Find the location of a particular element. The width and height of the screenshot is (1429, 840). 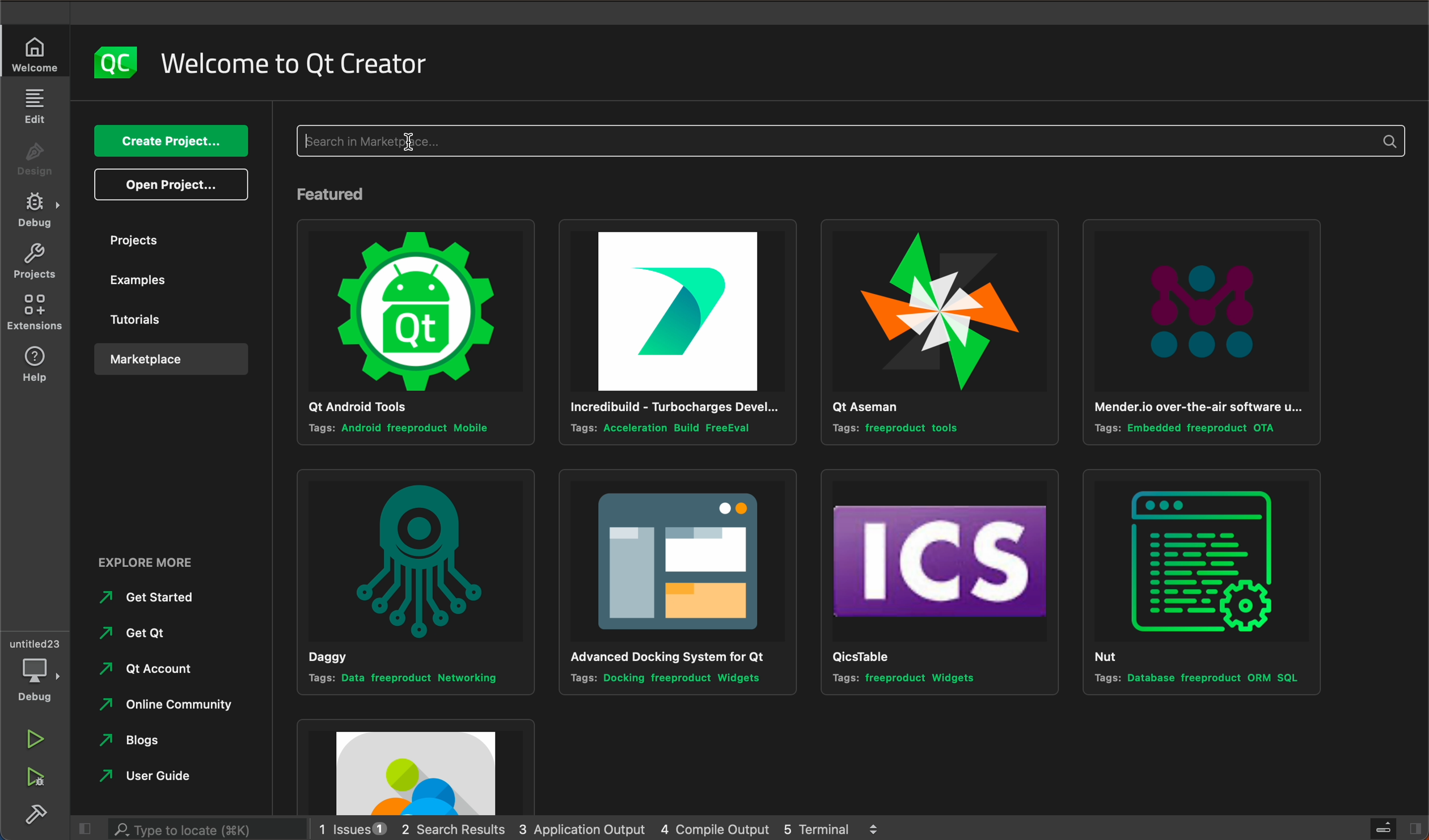

typing start is located at coordinates (849, 142).